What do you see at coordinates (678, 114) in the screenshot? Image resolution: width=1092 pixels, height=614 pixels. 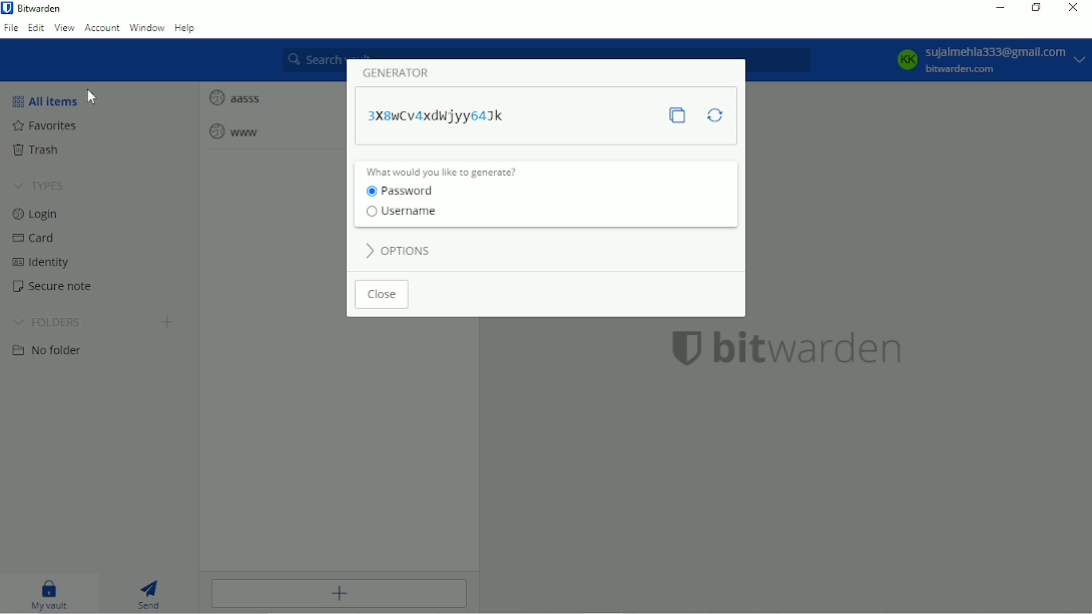 I see `Copy password` at bounding box center [678, 114].